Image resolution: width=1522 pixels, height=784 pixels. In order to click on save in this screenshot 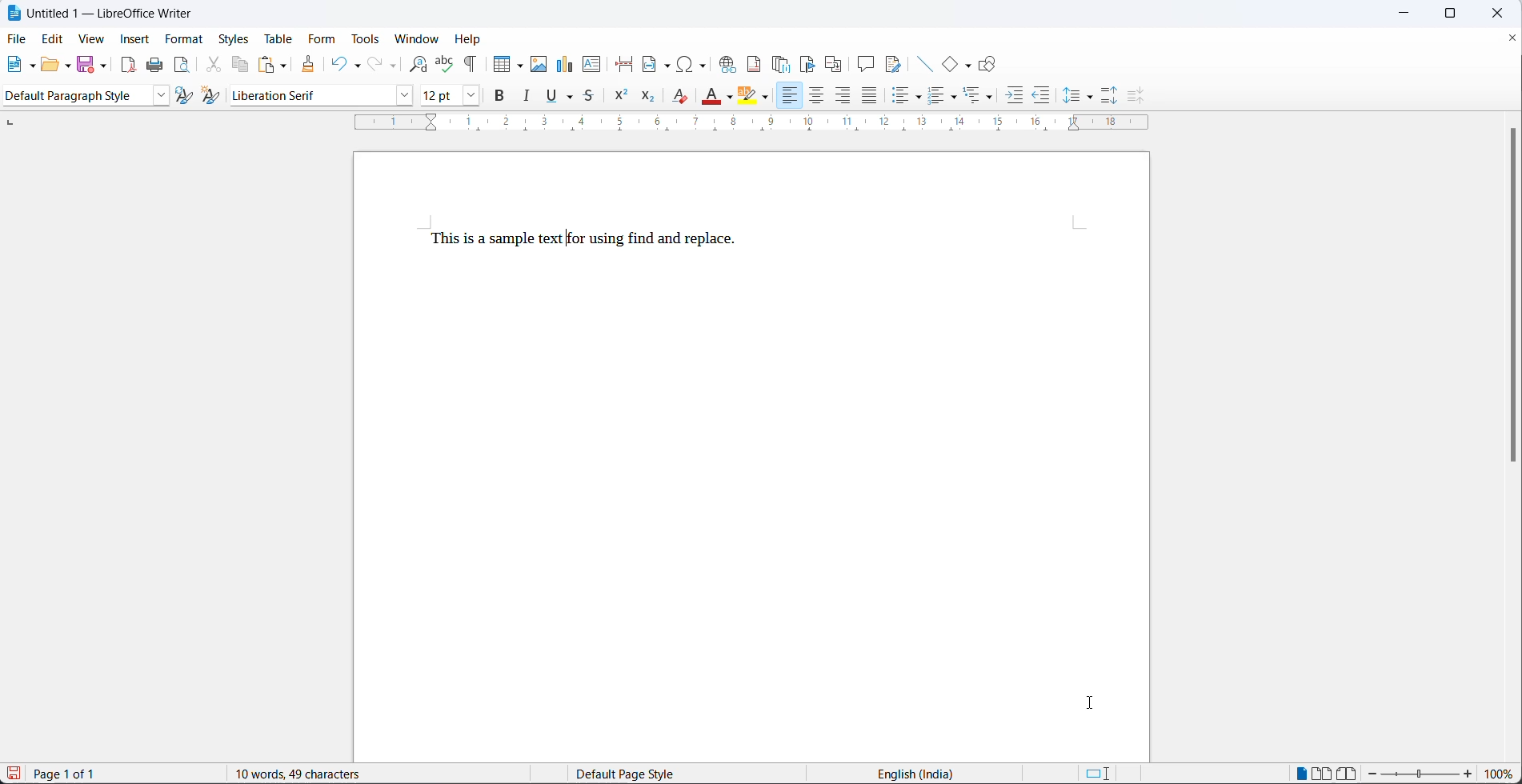, I will do `click(86, 63)`.